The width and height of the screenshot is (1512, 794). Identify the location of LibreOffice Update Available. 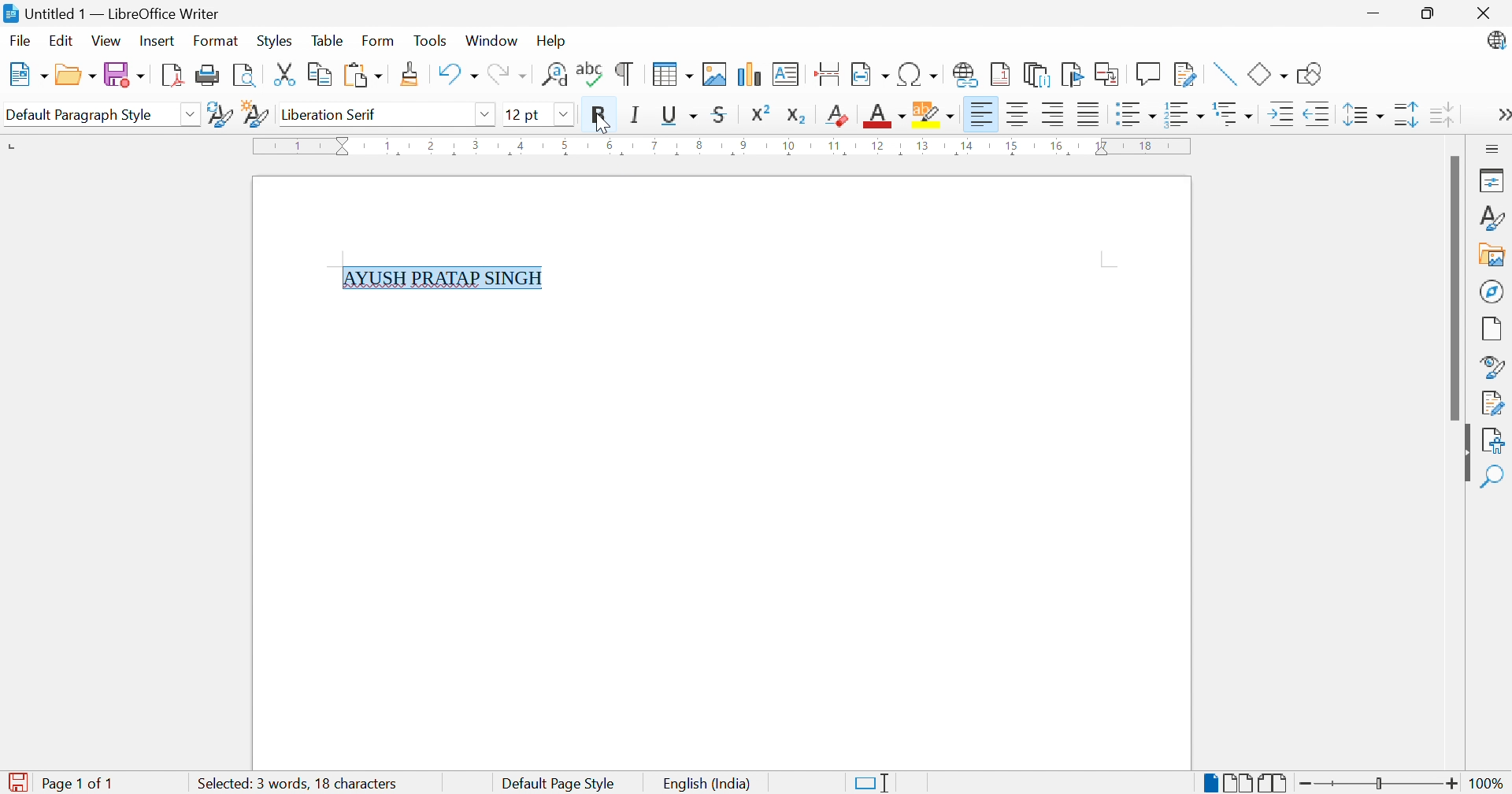
(1497, 42).